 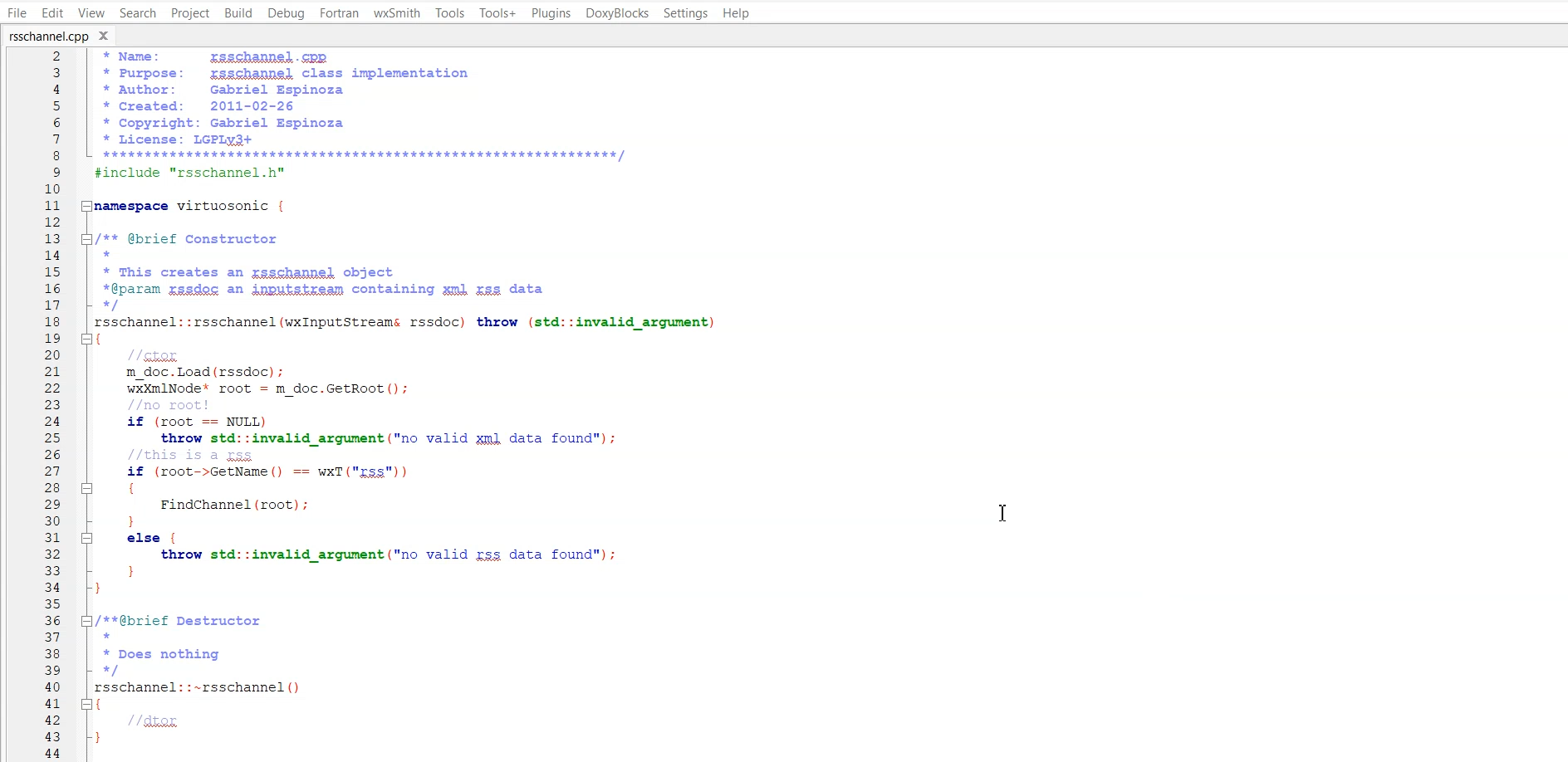 What do you see at coordinates (189, 13) in the screenshot?
I see `Project` at bounding box center [189, 13].